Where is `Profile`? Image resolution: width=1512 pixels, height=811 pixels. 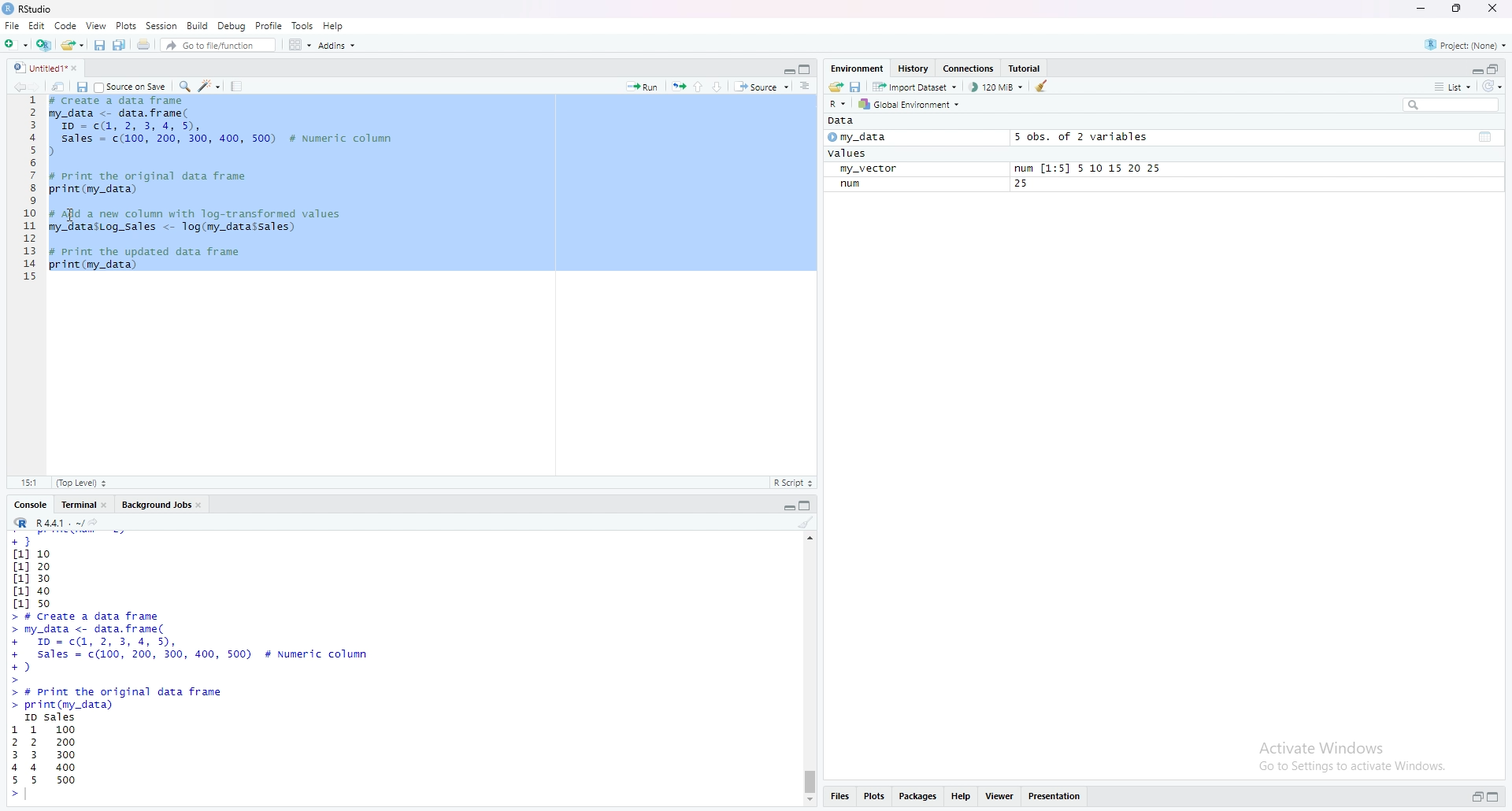 Profile is located at coordinates (269, 25).